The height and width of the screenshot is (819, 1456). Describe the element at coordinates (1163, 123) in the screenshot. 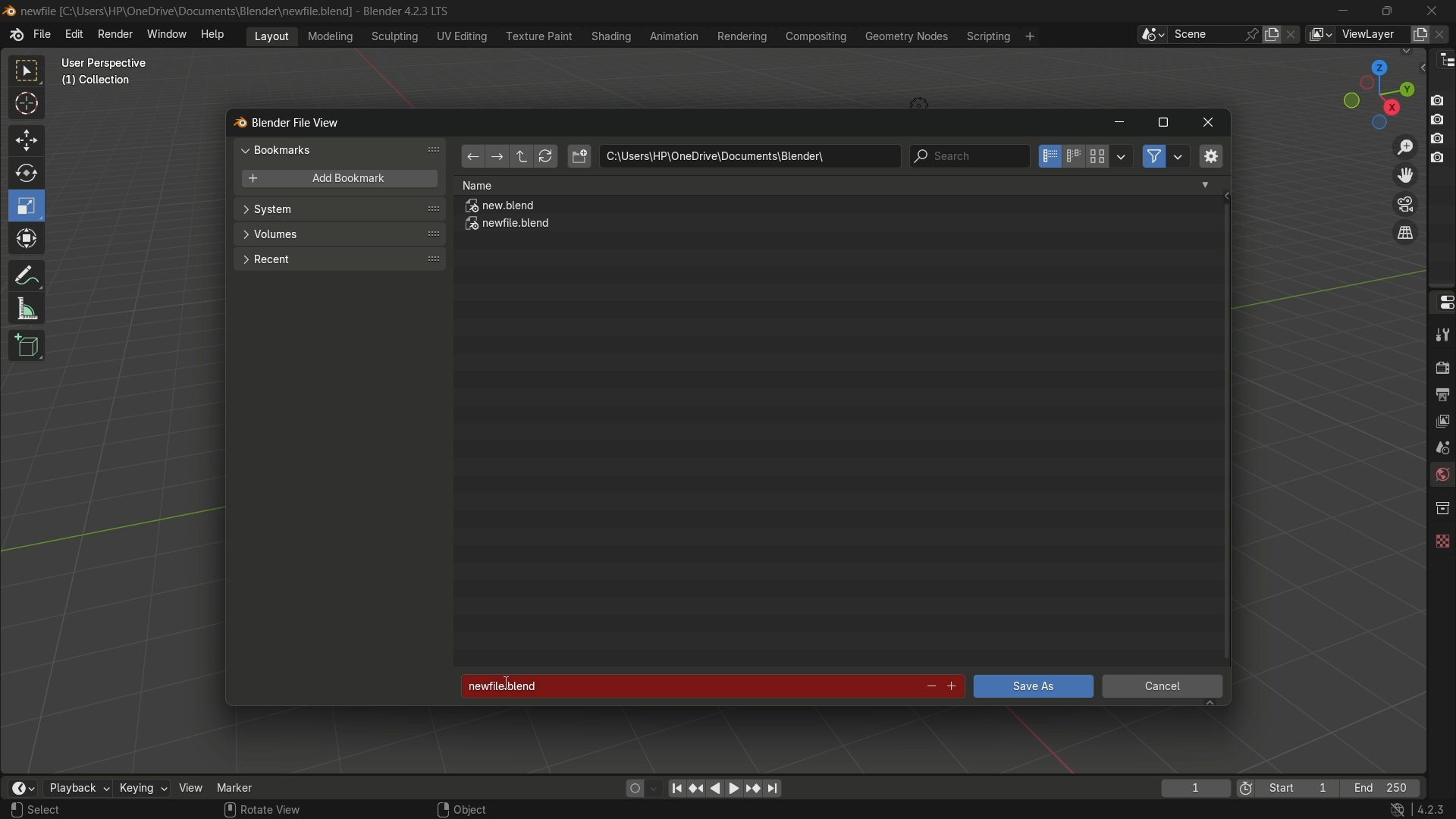

I see `maximize or restore` at that location.